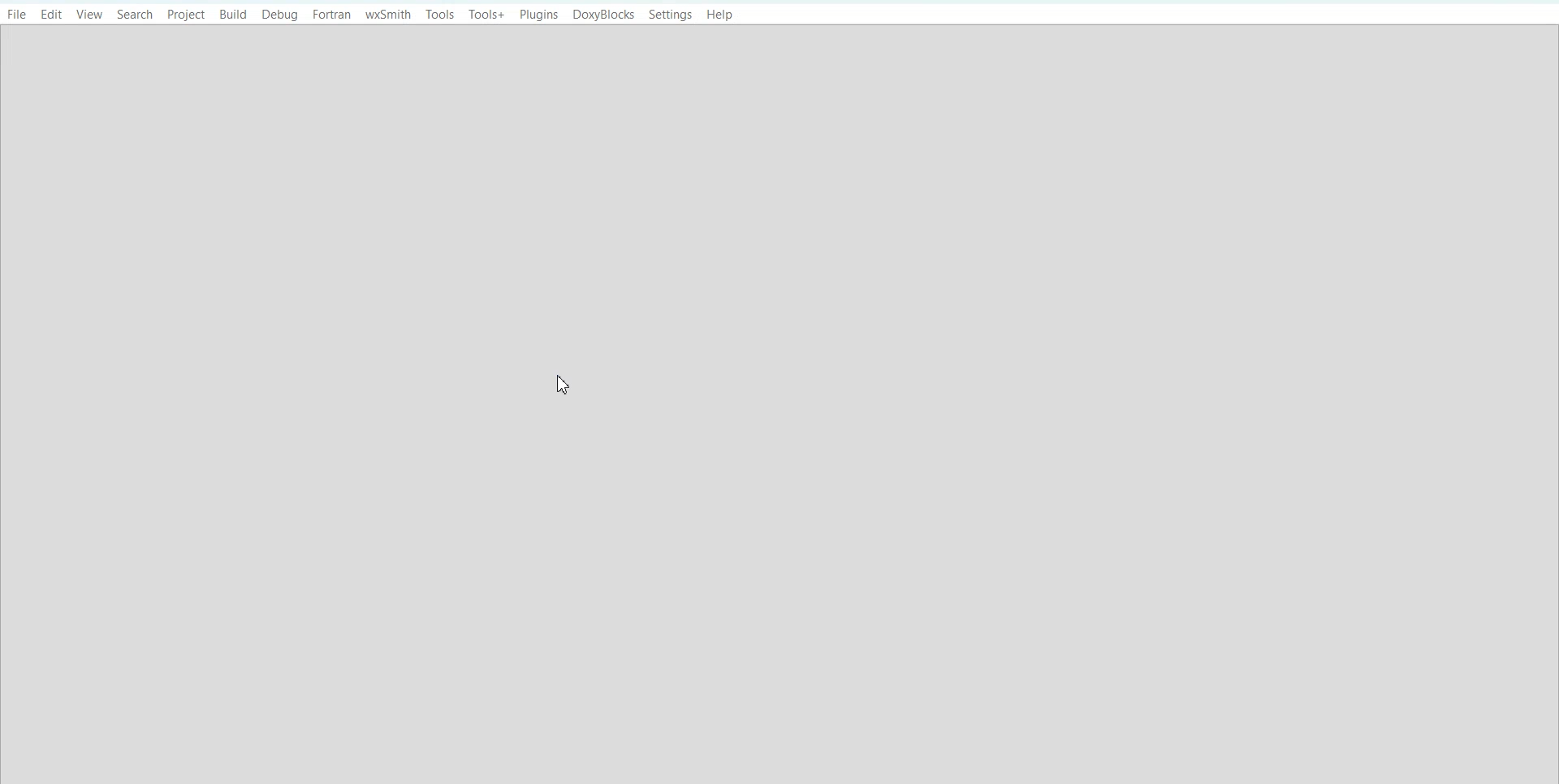  Describe the element at coordinates (487, 15) in the screenshot. I see `Tools+` at that location.